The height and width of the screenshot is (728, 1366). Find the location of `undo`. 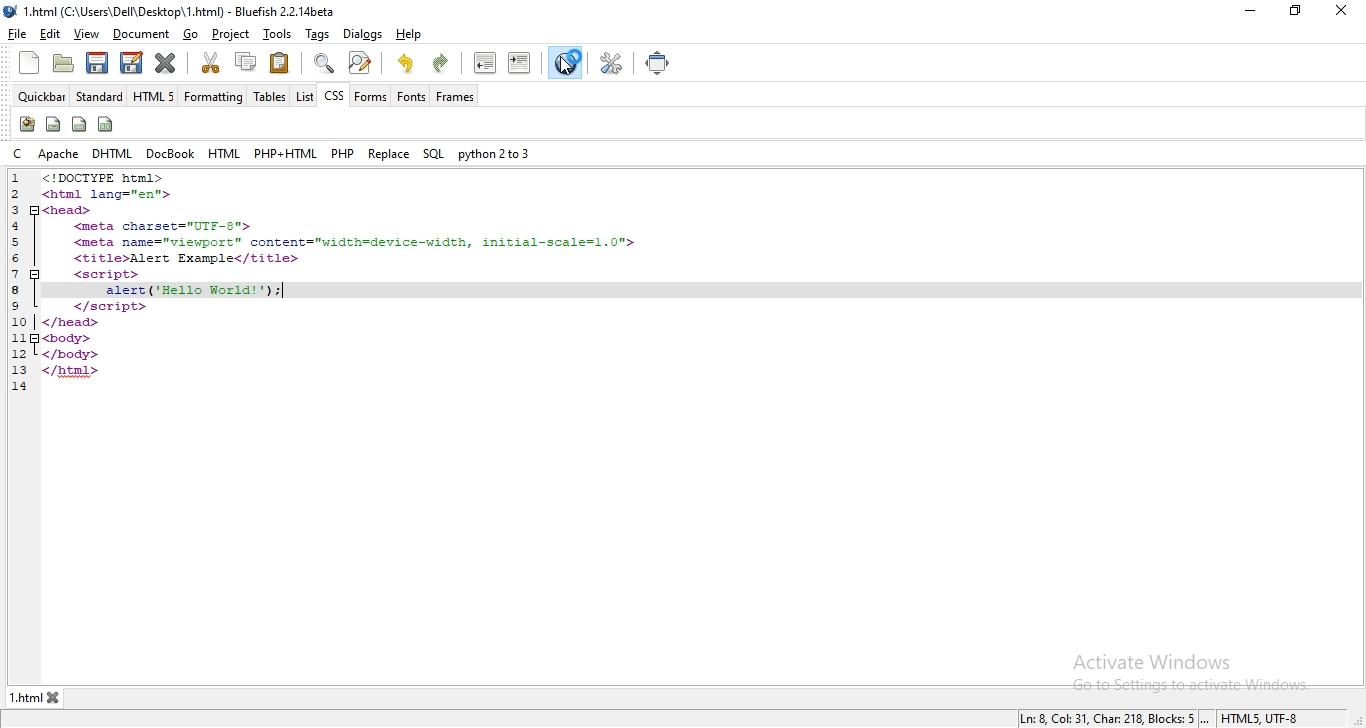

undo is located at coordinates (407, 62).